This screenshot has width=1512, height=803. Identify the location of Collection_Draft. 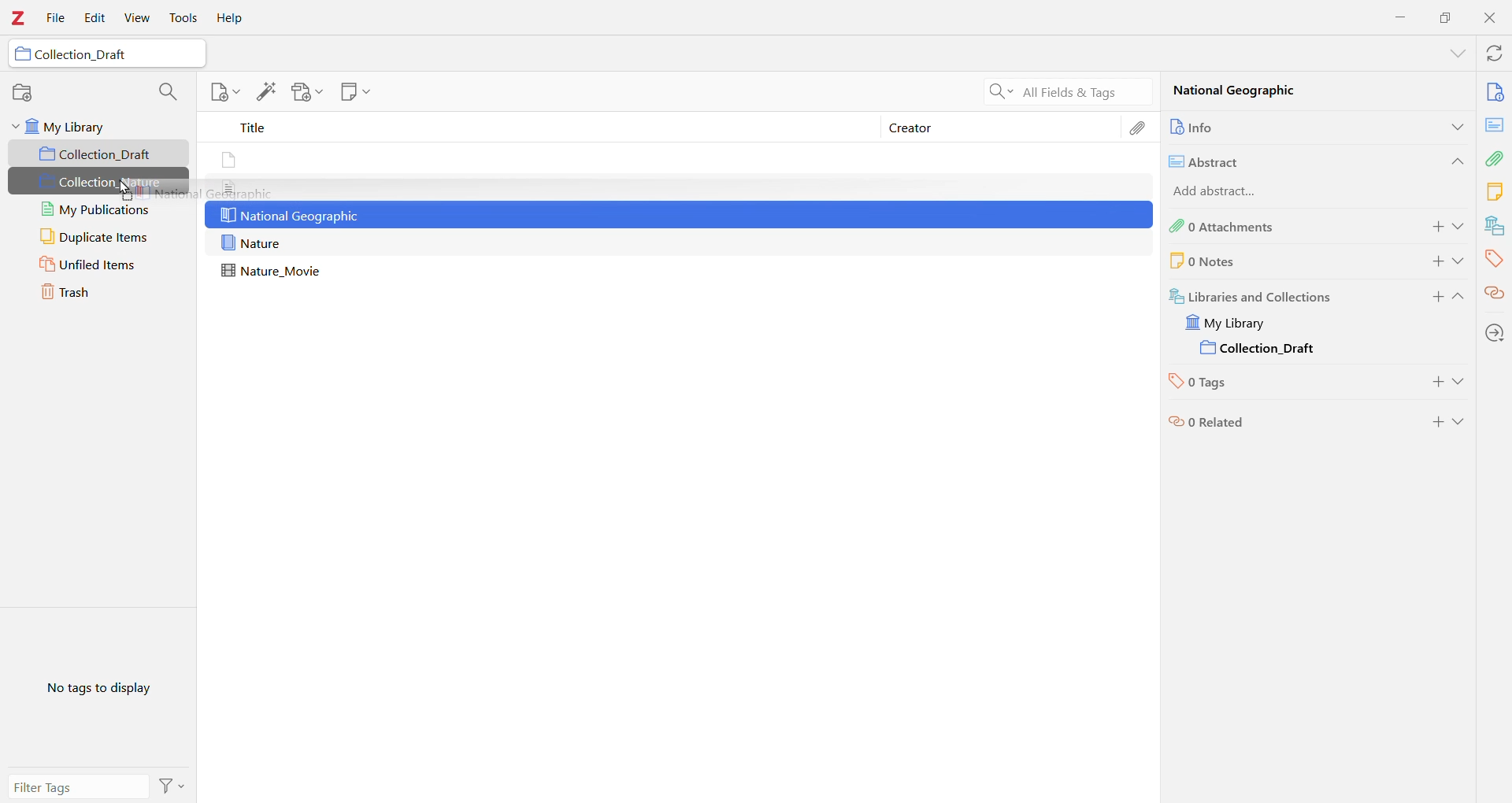
(100, 154).